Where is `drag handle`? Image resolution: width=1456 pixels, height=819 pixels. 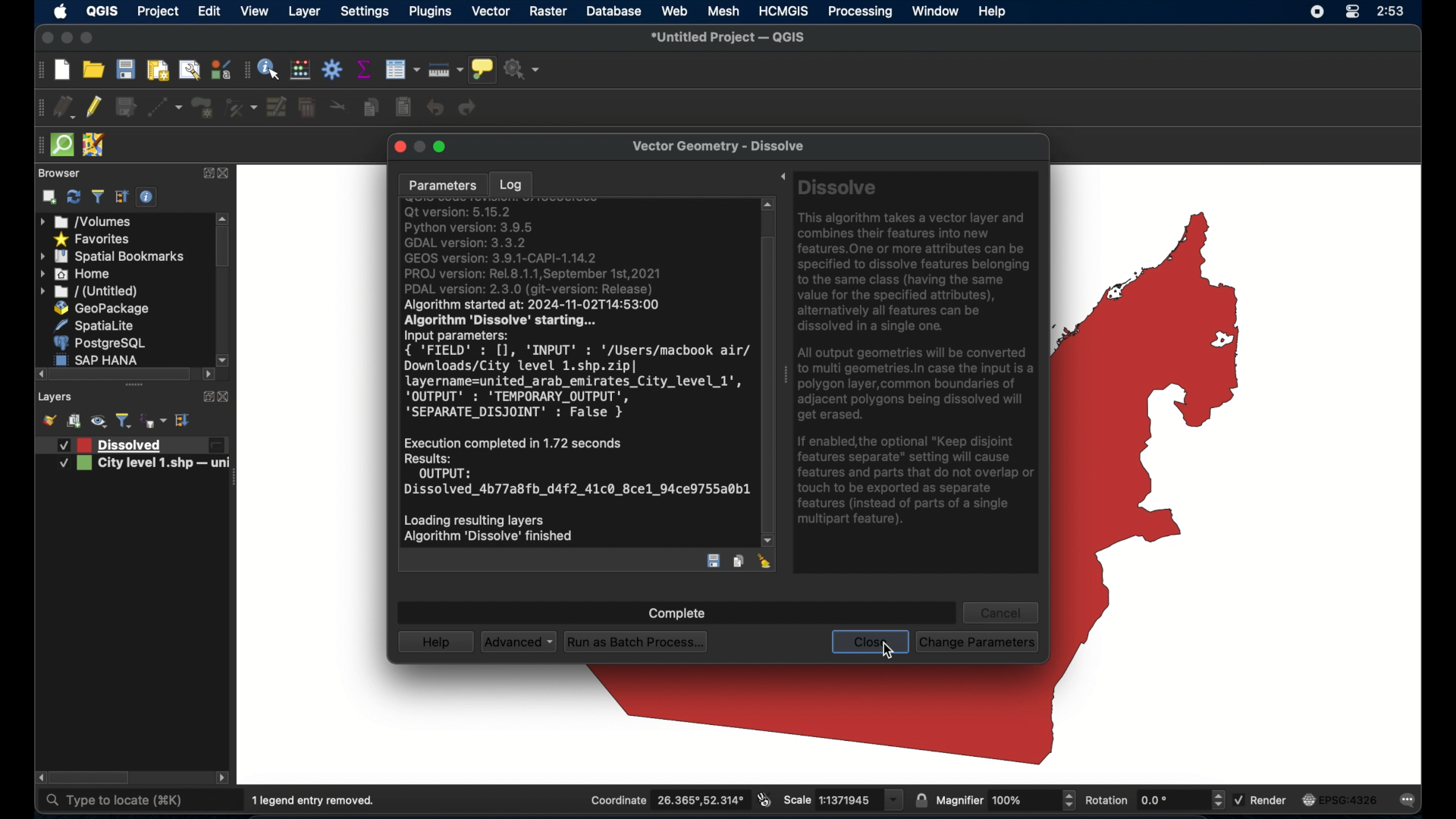 drag handle is located at coordinates (38, 145).